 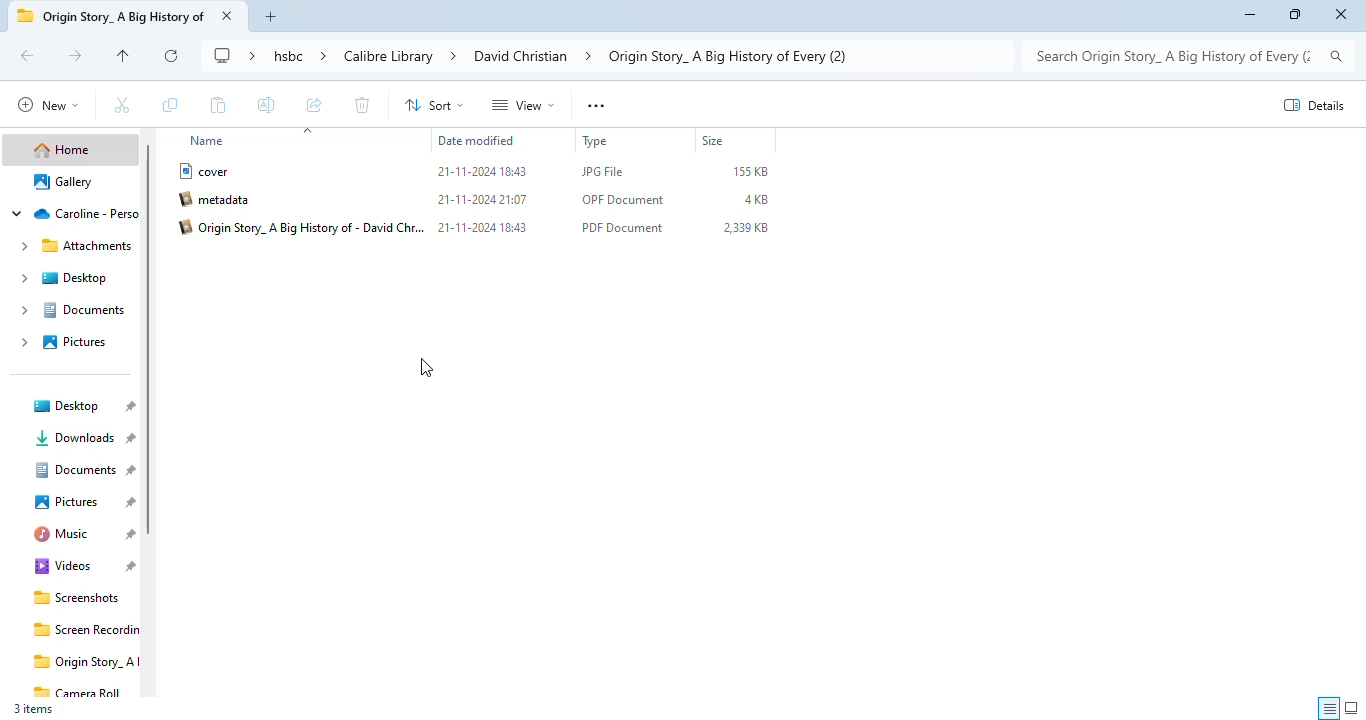 What do you see at coordinates (122, 56) in the screenshot?
I see `up to "David Christian"` at bounding box center [122, 56].